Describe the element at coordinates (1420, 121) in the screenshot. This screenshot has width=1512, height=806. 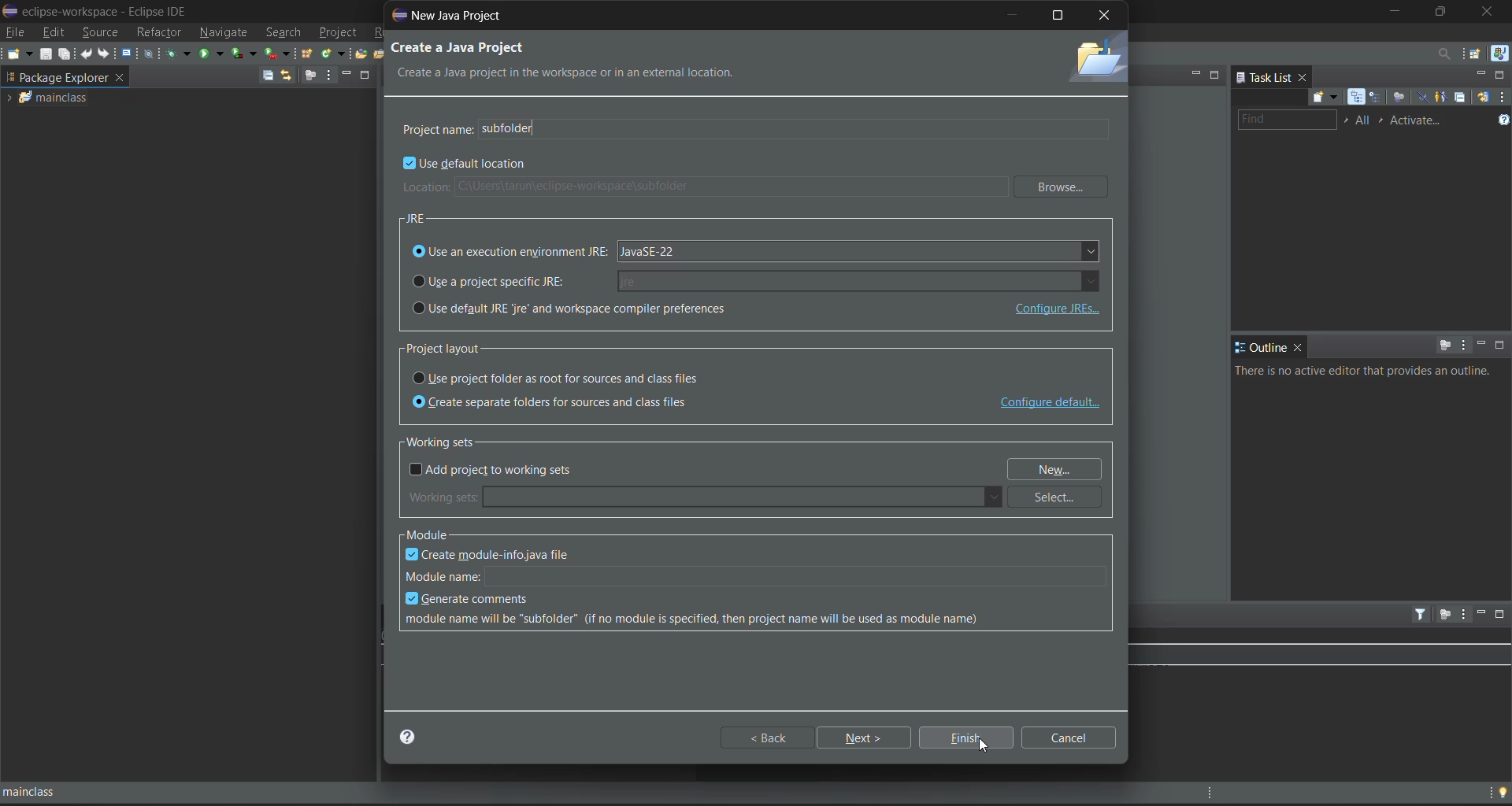
I see `activate` at that location.